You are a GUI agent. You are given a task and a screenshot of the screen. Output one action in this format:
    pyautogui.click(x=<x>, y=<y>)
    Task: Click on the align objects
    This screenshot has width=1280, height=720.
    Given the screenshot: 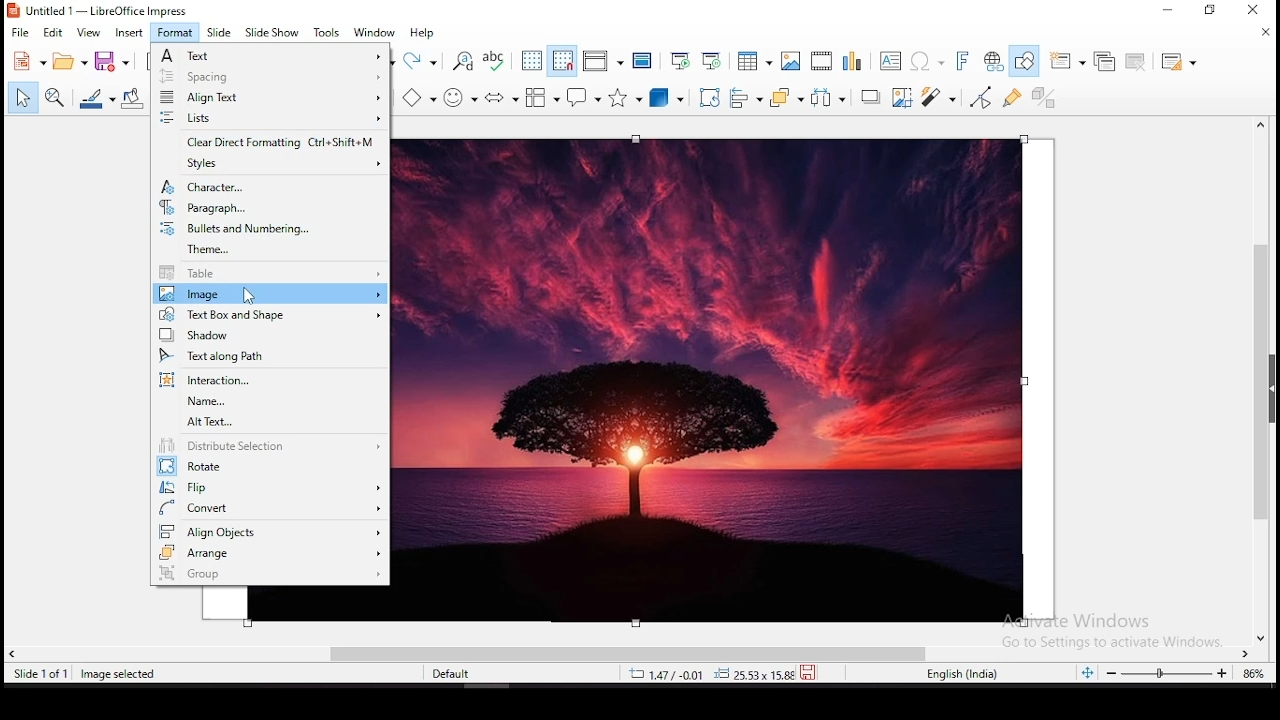 What is the action you would take?
    pyautogui.click(x=748, y=100)
    